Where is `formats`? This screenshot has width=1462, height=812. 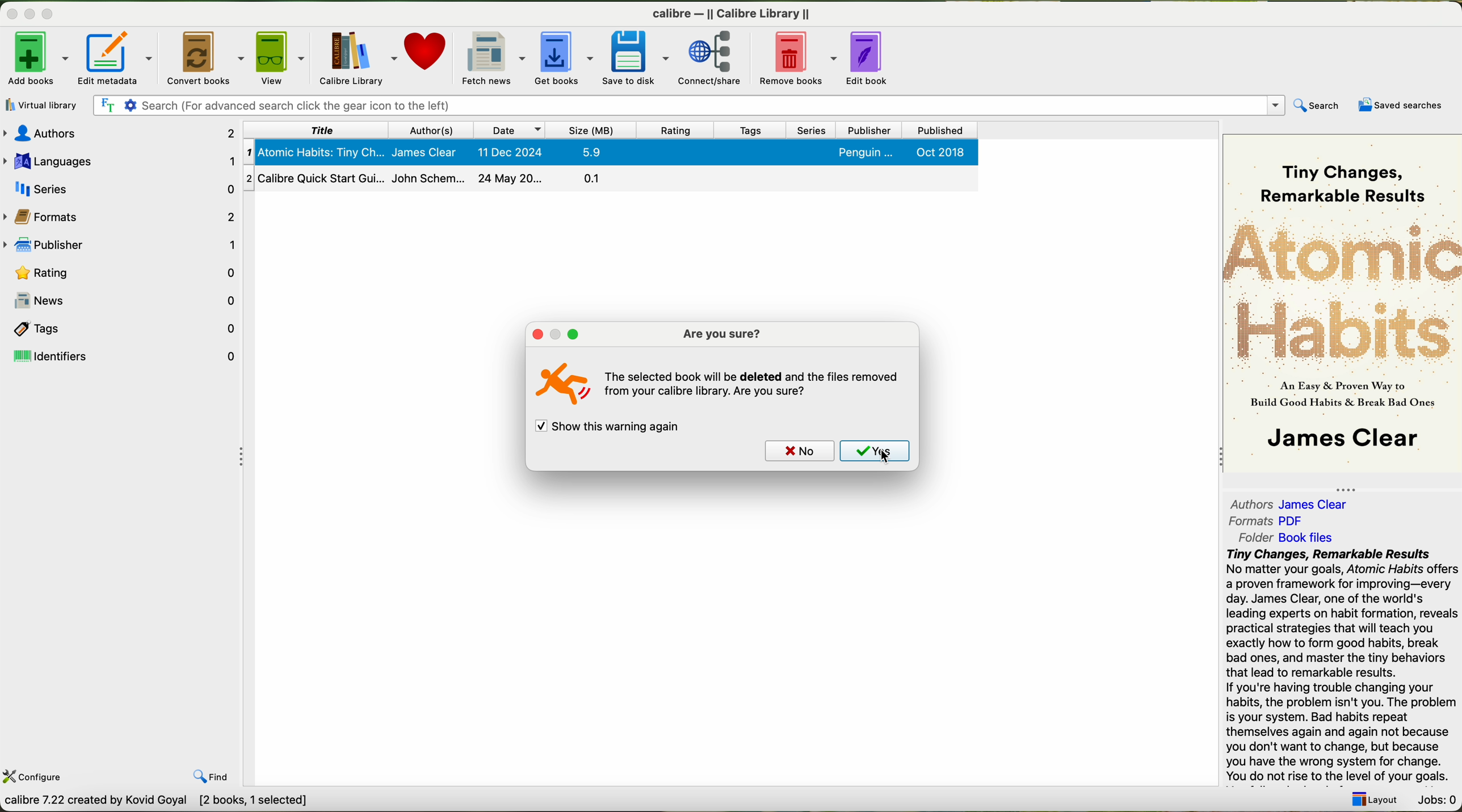
formats is located at coordinates (124, 215).